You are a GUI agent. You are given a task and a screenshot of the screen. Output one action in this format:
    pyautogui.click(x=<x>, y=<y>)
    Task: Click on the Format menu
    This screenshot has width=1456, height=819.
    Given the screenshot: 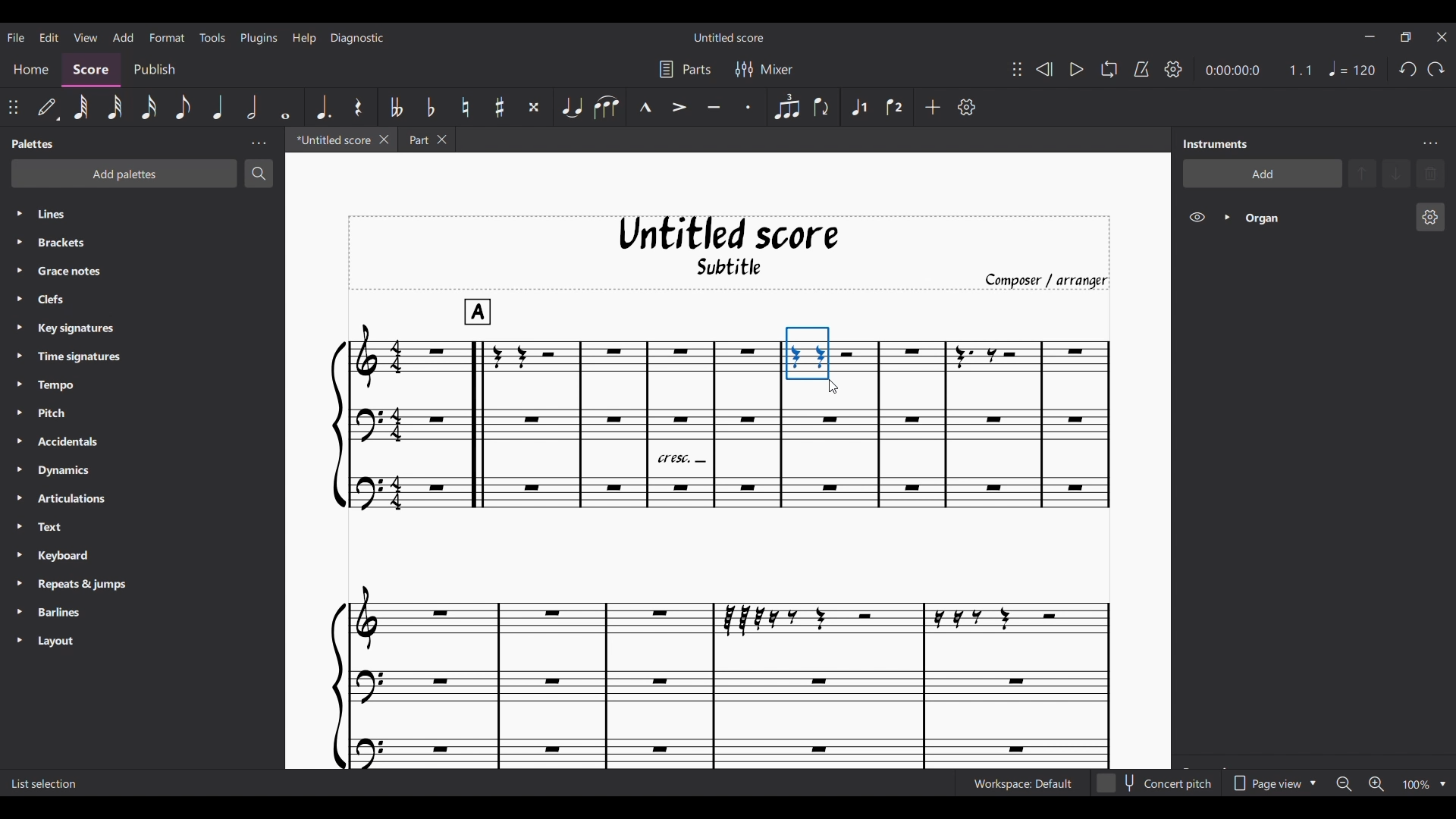 What is the action you would take?
    pyautogui.click(x=166, y=35)
    